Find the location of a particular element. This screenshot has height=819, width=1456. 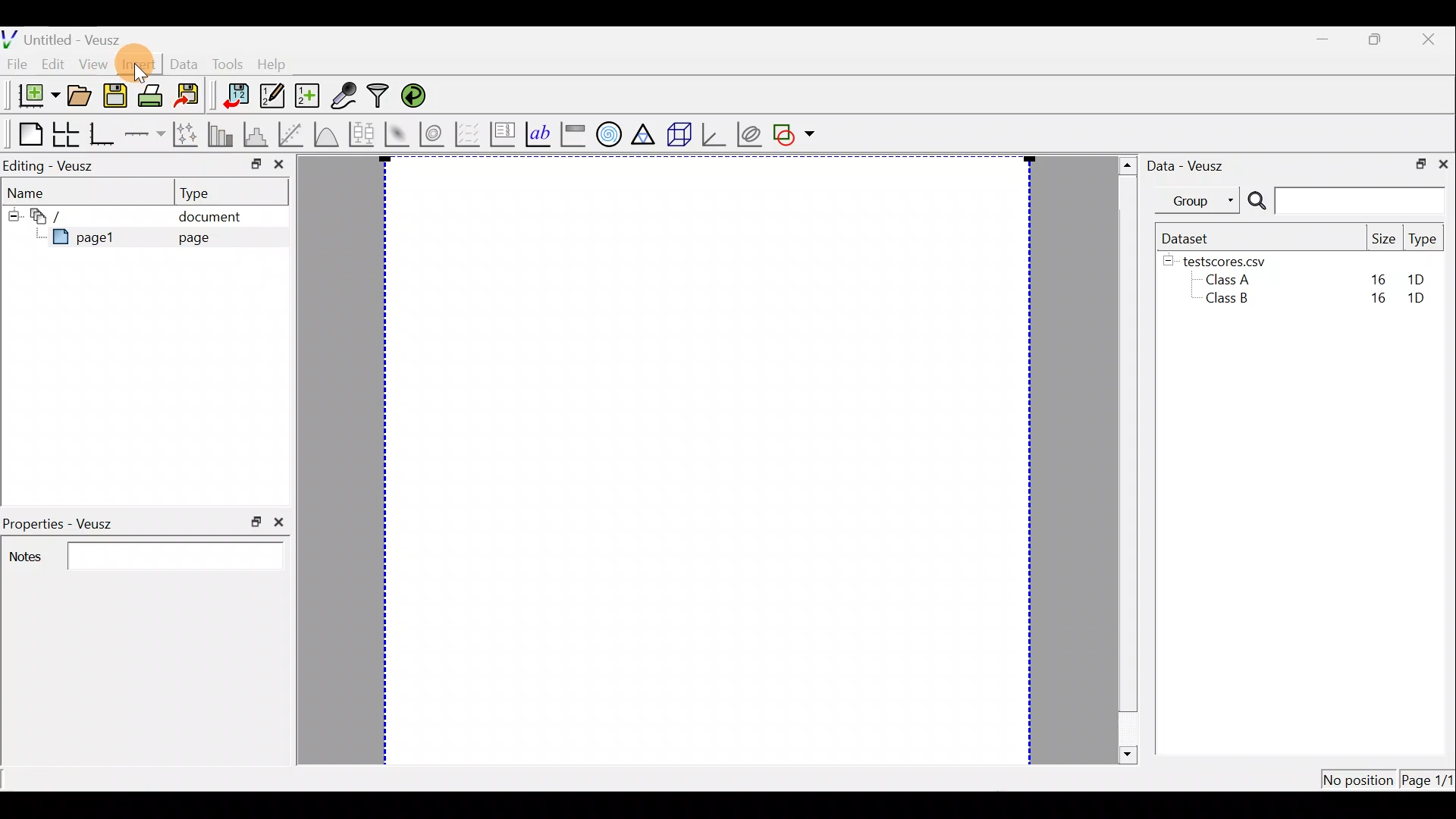

Add an axis to the plot is located at coordinates (144, 135).